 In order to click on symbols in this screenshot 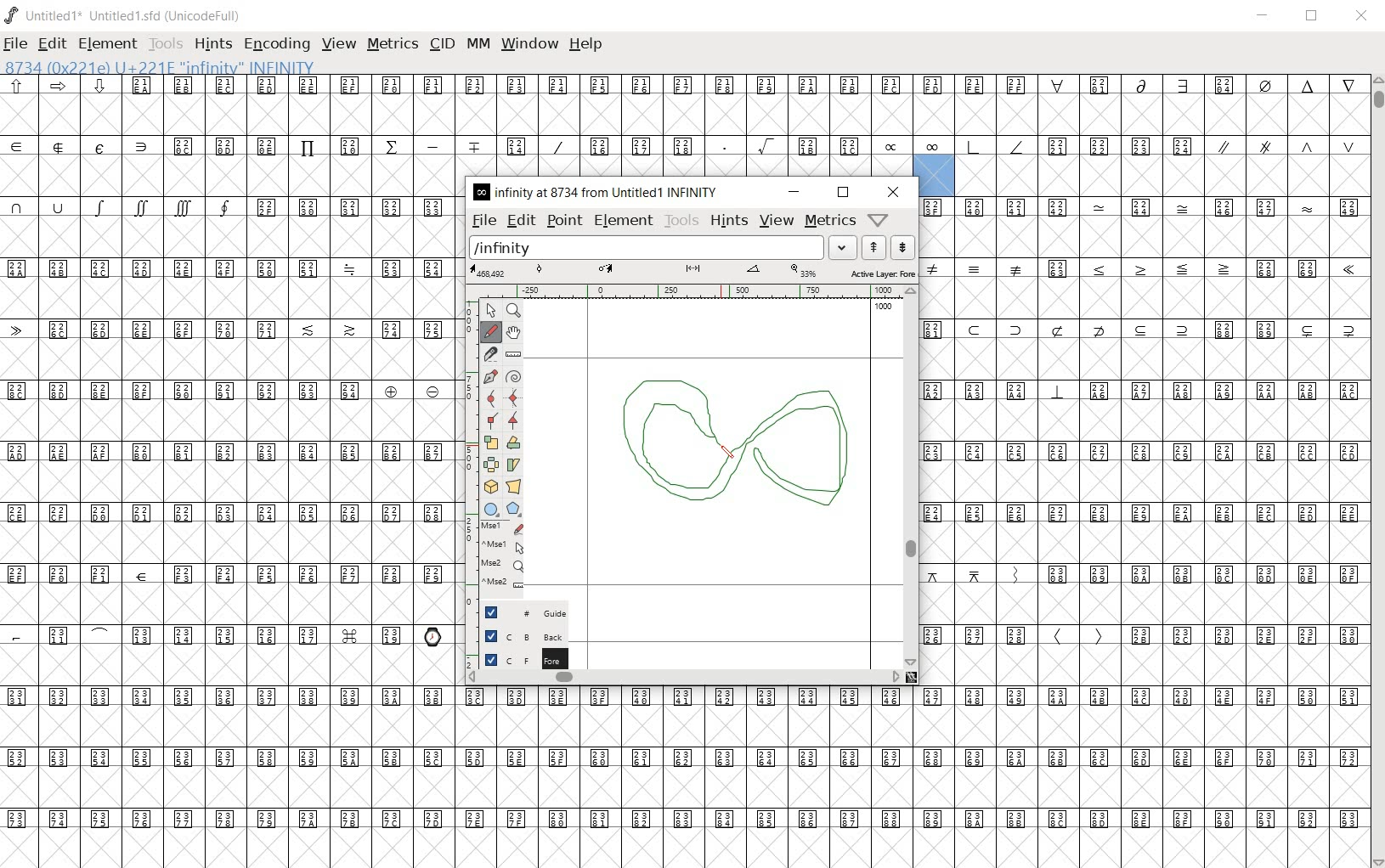, I will do `click(979, 268)`.